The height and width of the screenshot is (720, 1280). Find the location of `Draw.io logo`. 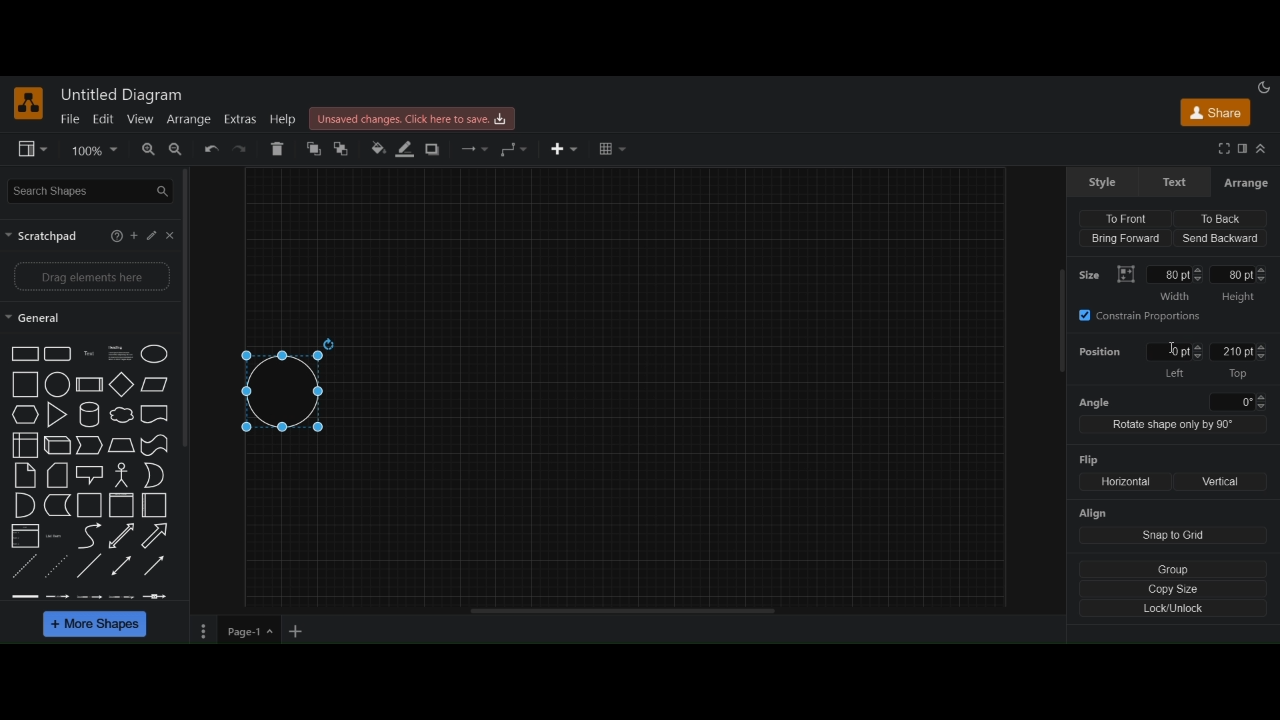

Draw.io logo is located at coordinates (29, 103).